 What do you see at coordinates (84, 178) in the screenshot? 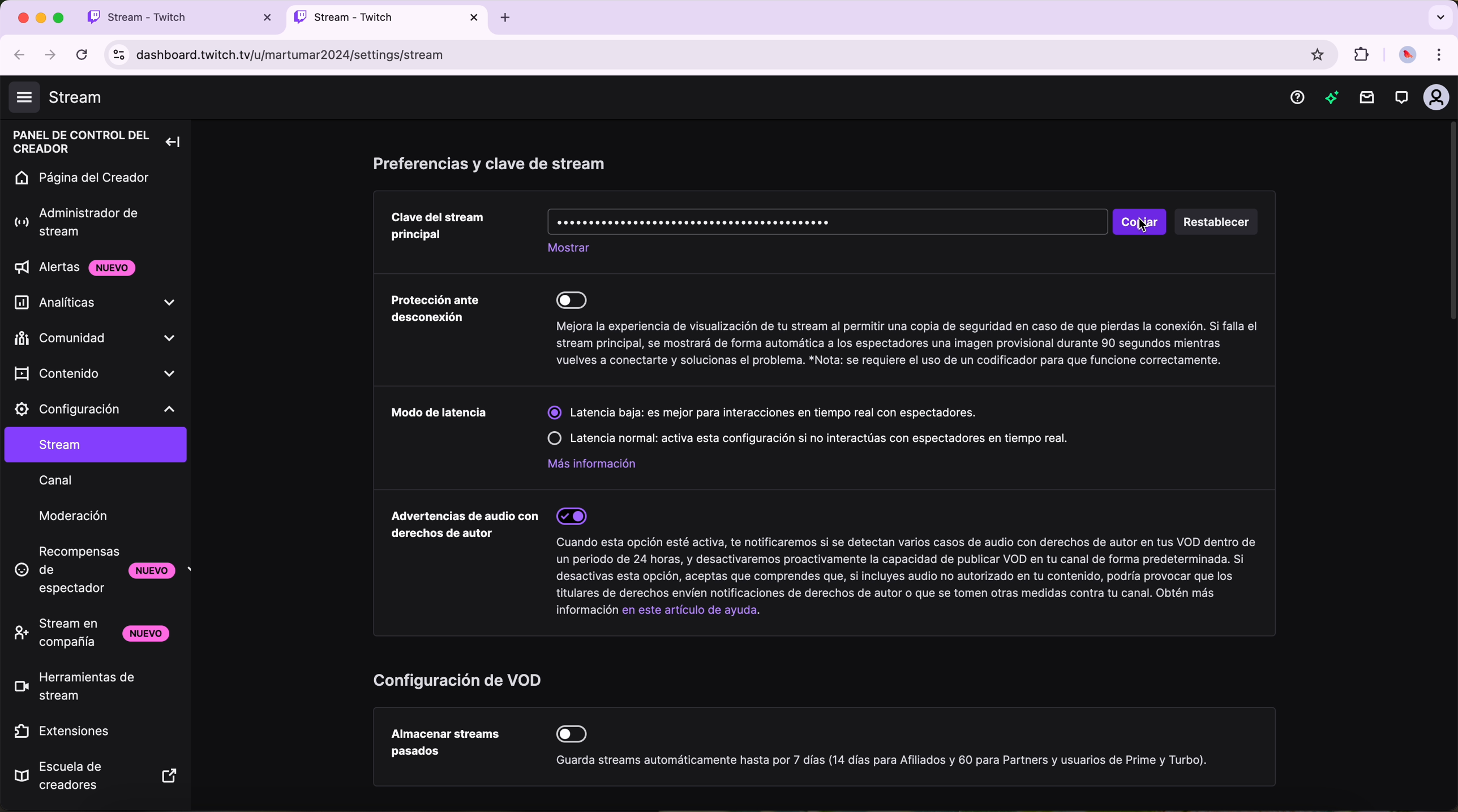
I see `home` at bounding box center [84, 178].